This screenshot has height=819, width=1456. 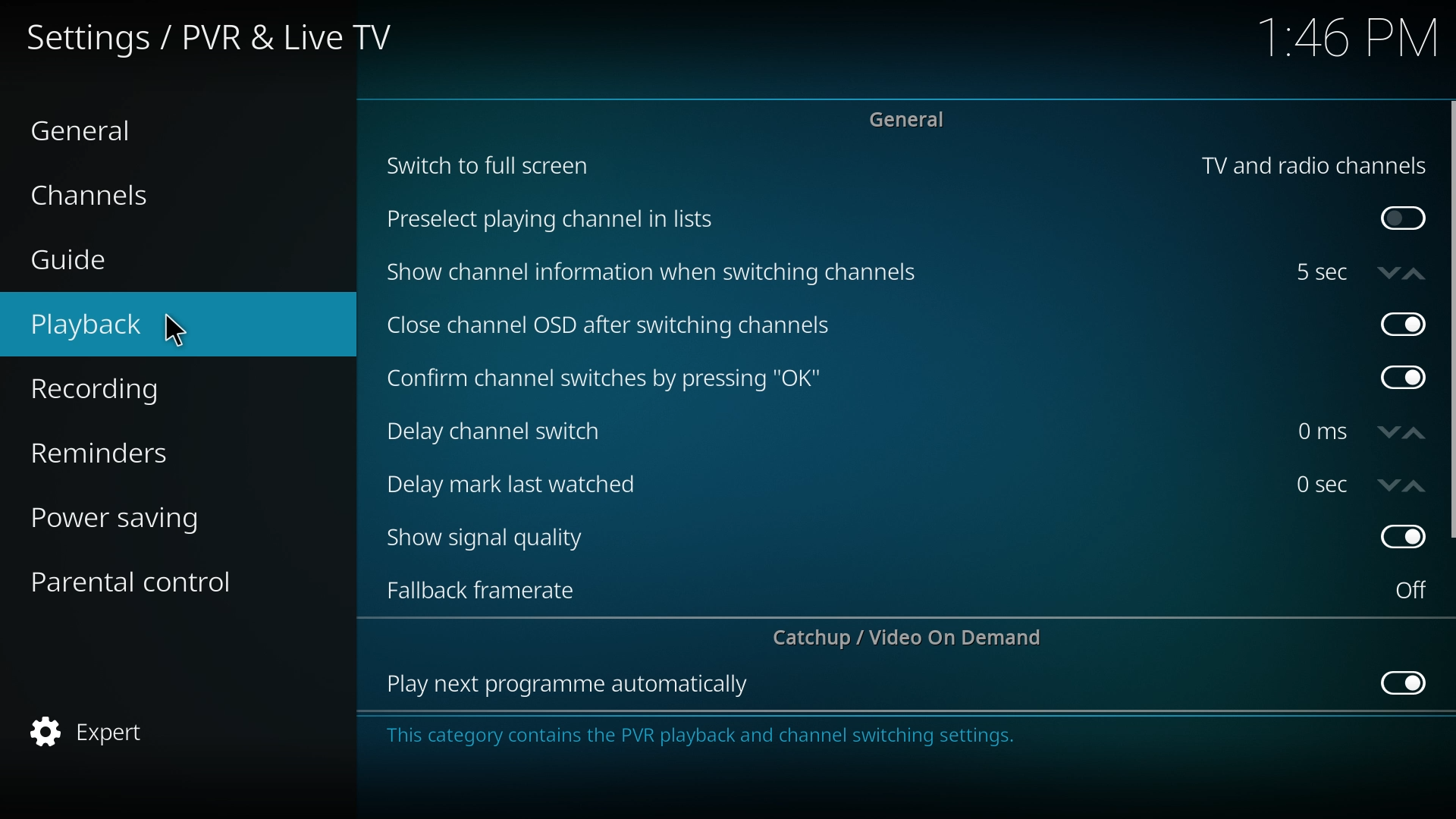 I want to click on power saving, so click(x=140, y=516).